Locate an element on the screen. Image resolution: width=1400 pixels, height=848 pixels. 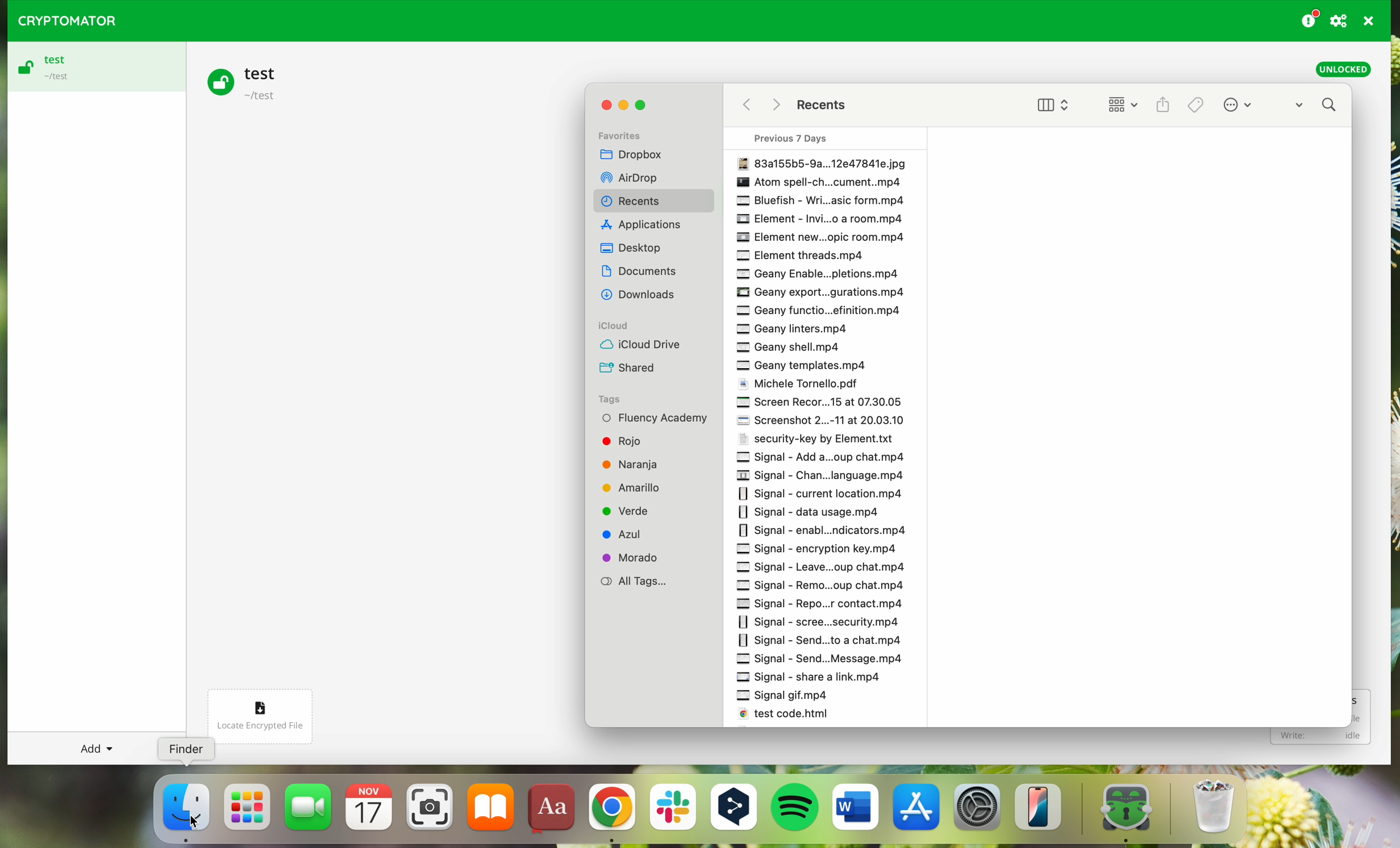
add button is located at coordinates (94, 748).